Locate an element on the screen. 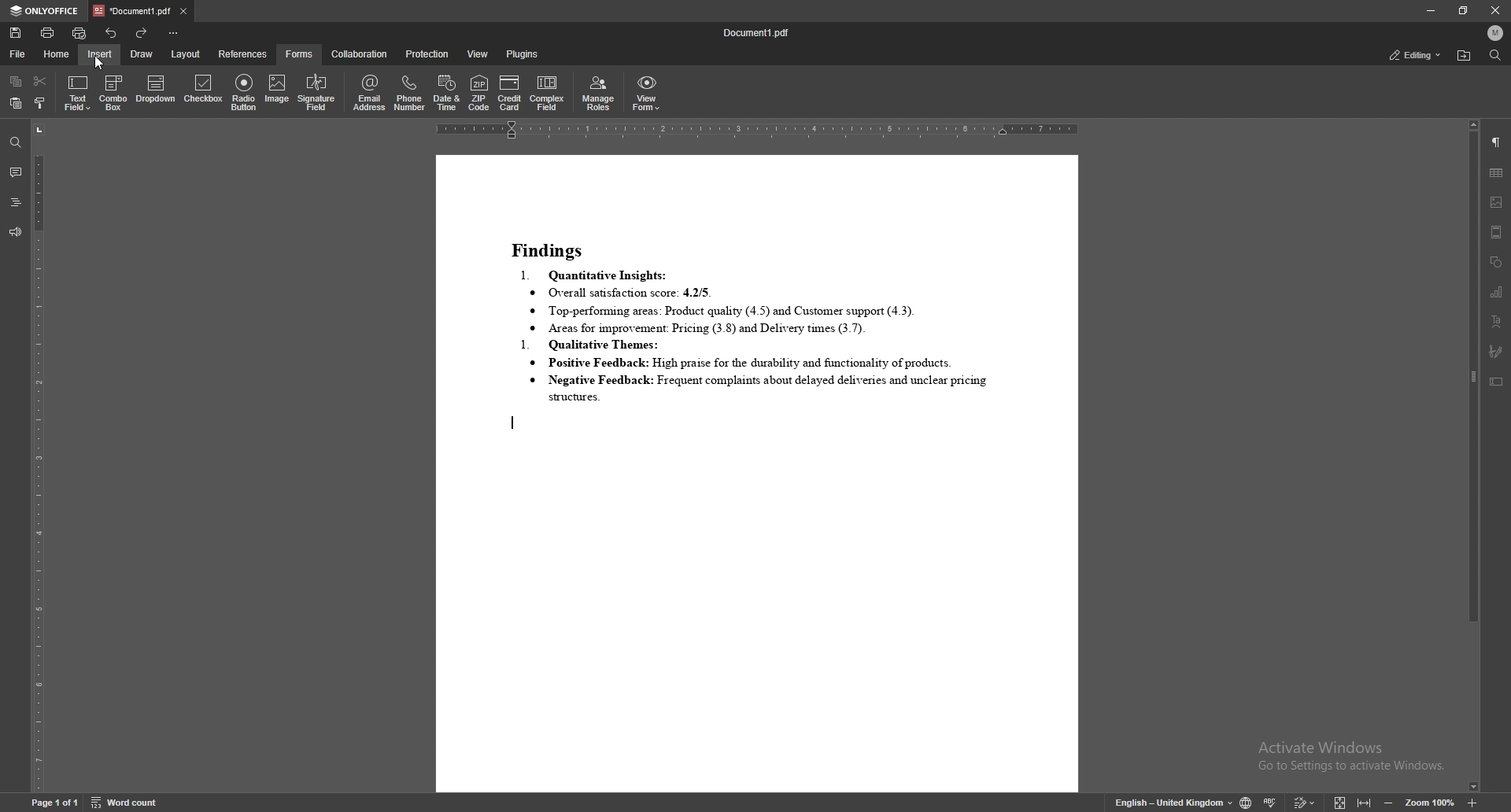 Image resolution: width=1511 pixels, height=812 pixels. horizontal scale is located at coordinates (758, 131).